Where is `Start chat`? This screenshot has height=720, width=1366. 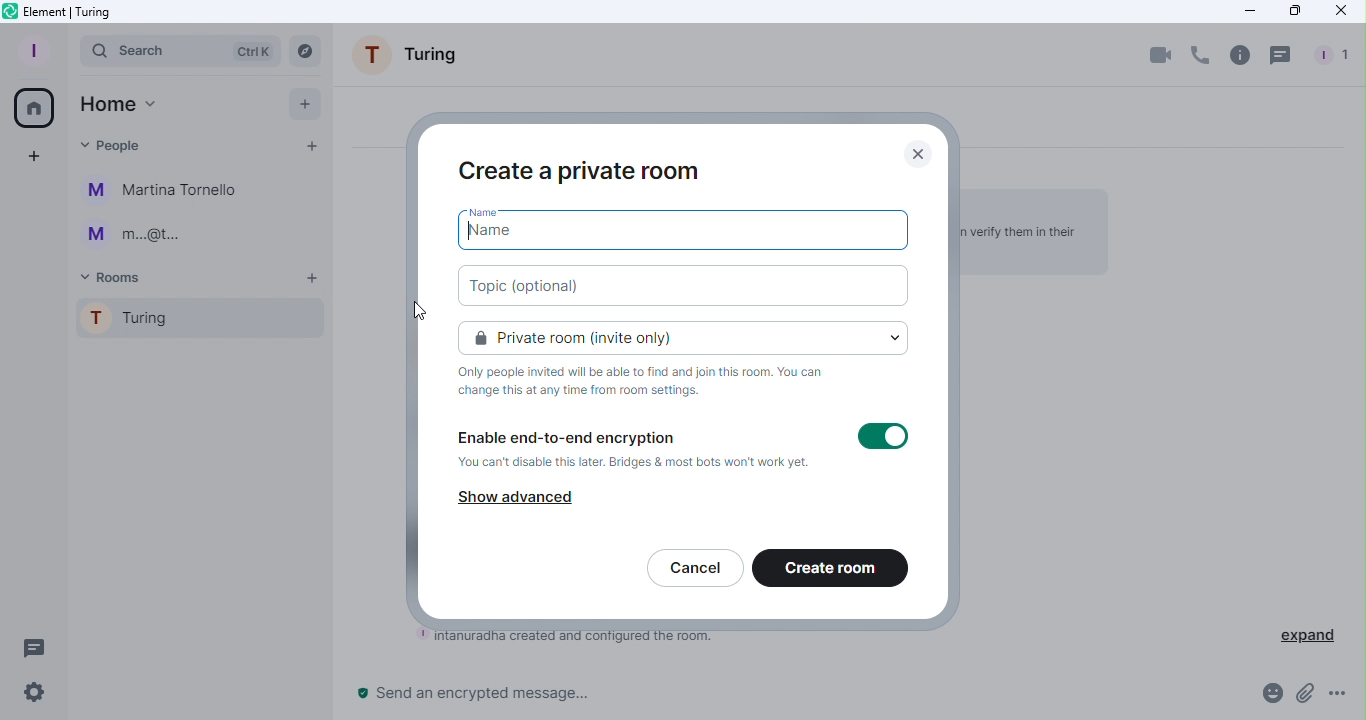
Start chat is located at coordinates (310, 149).